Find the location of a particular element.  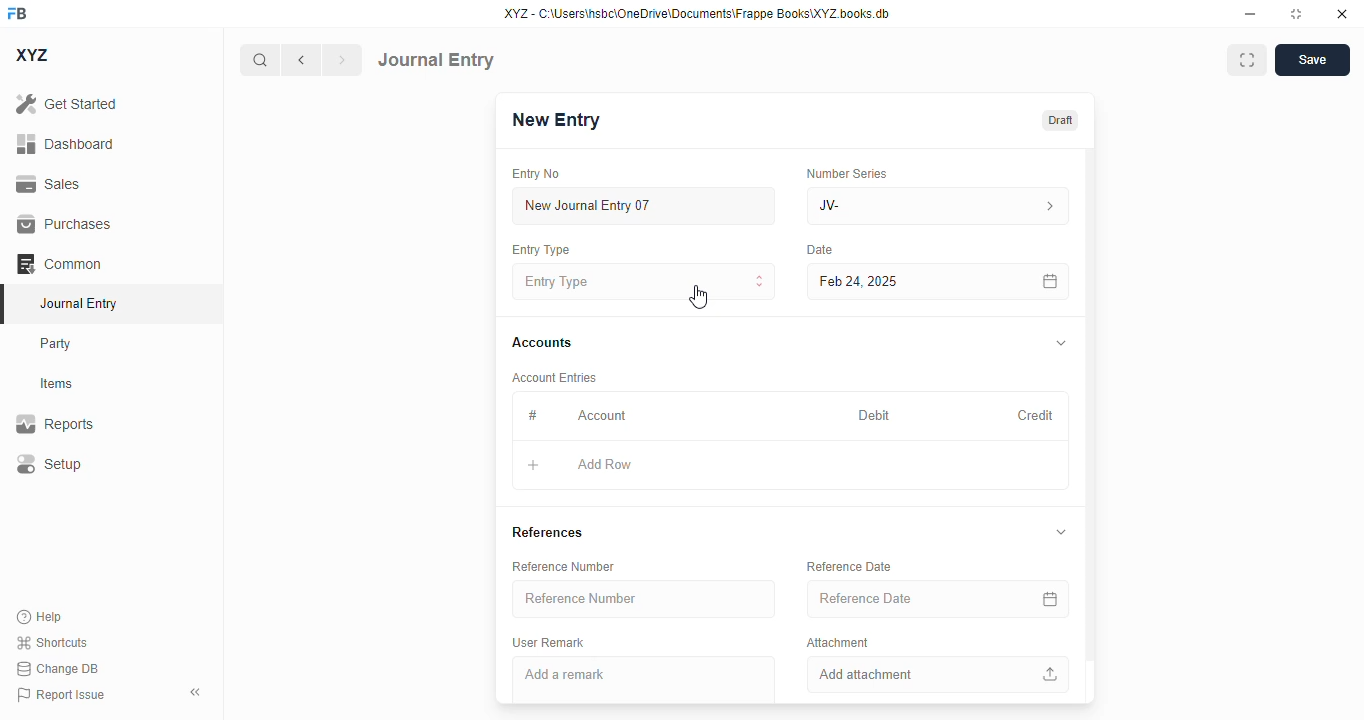

save is located at coordinates (1312, 60).